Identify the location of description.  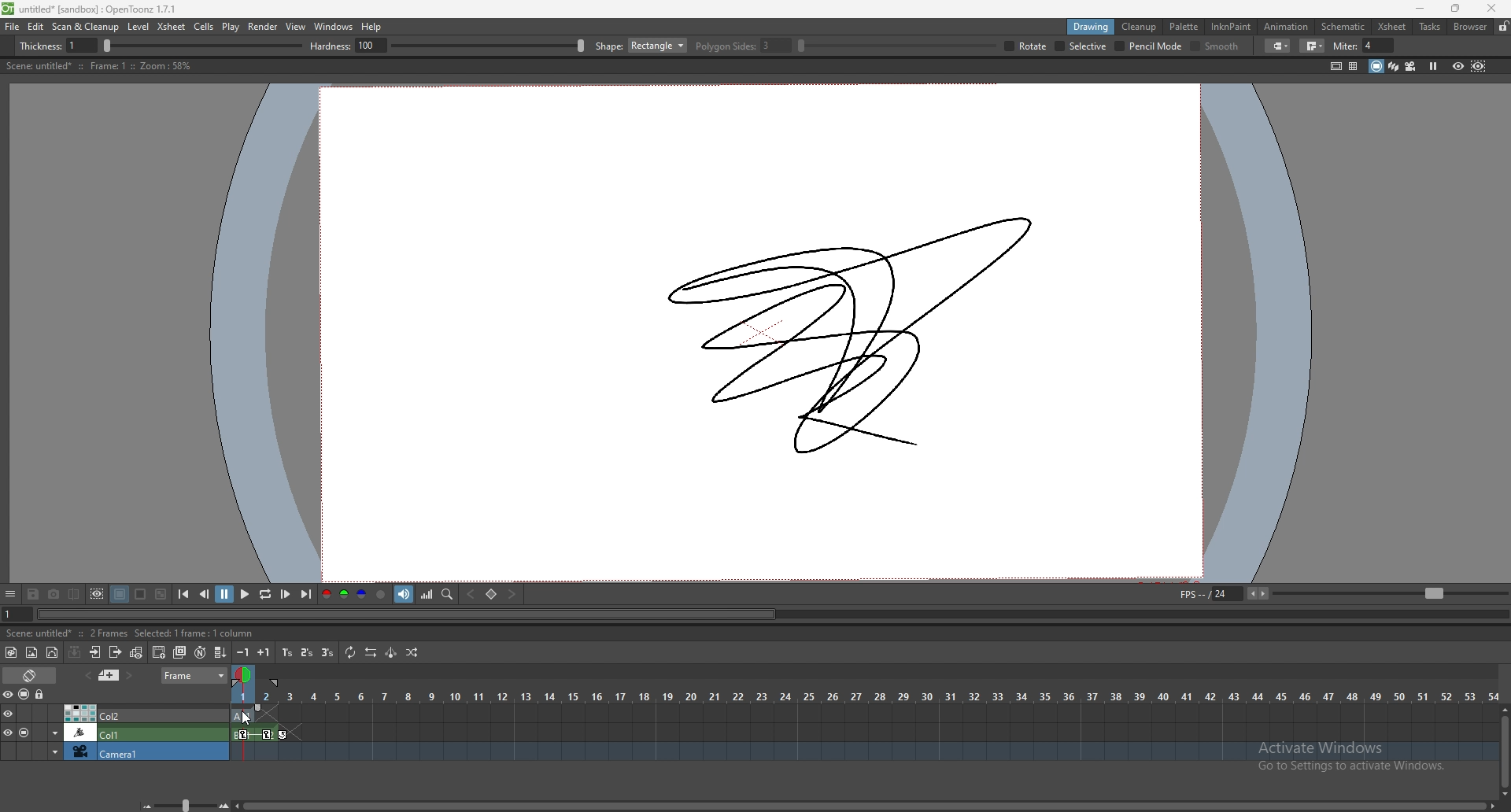
(98, 66).